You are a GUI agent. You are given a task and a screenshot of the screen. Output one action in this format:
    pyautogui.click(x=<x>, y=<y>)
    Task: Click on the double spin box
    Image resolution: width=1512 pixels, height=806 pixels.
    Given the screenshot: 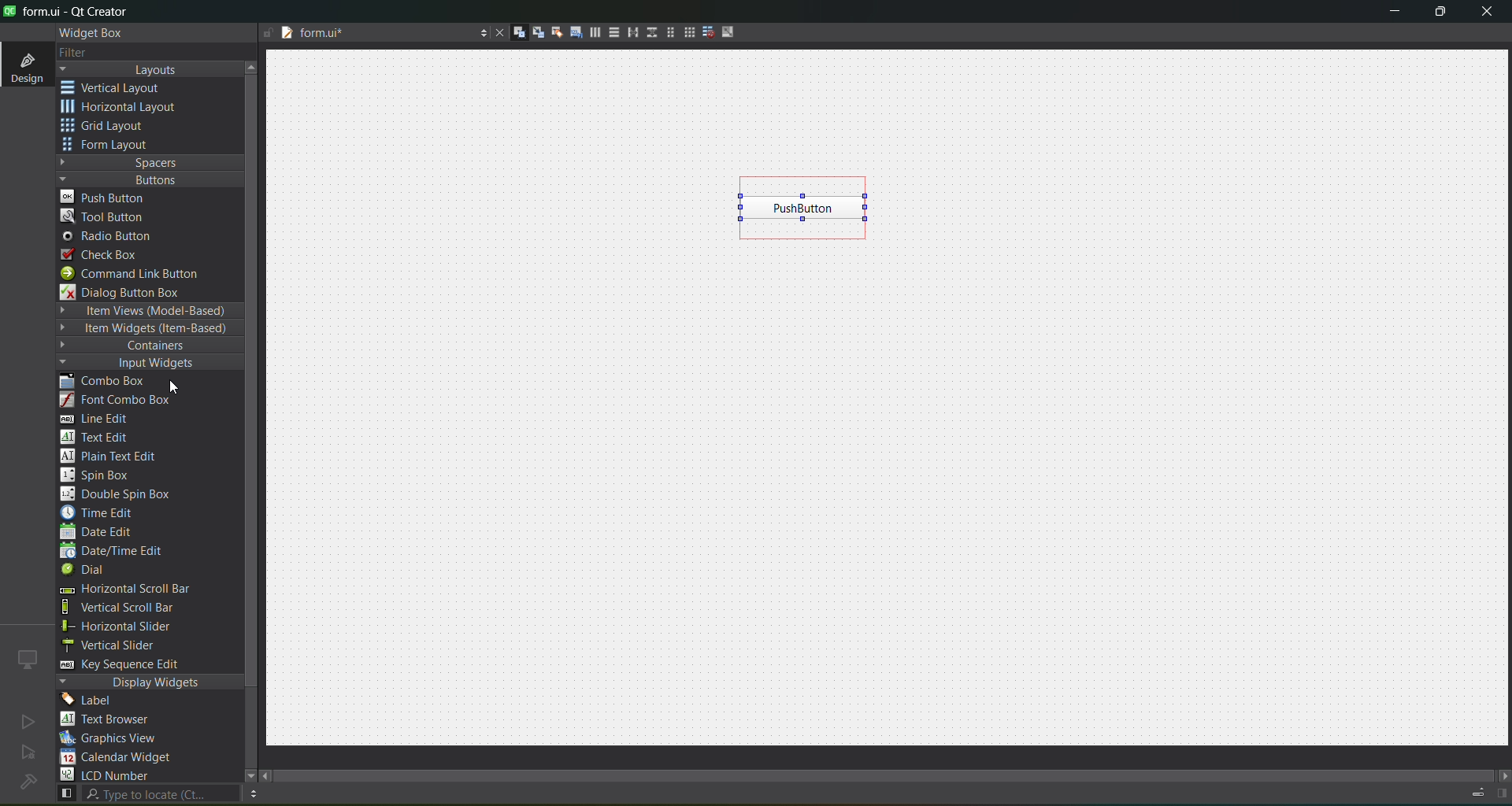 What is the action you would take?
    pyautogui.click(x=127, y=494)
    